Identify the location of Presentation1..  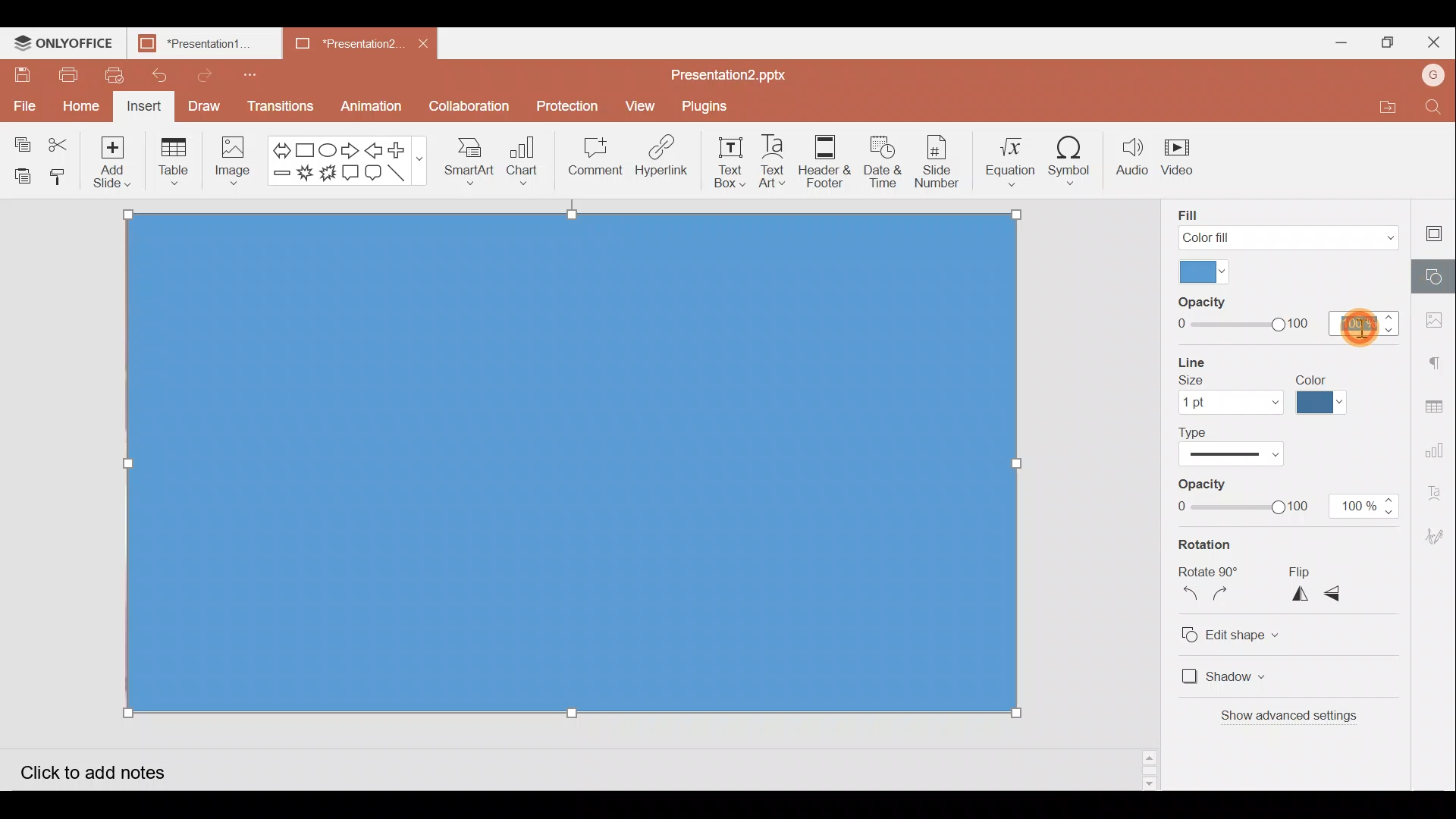
(202, 45).